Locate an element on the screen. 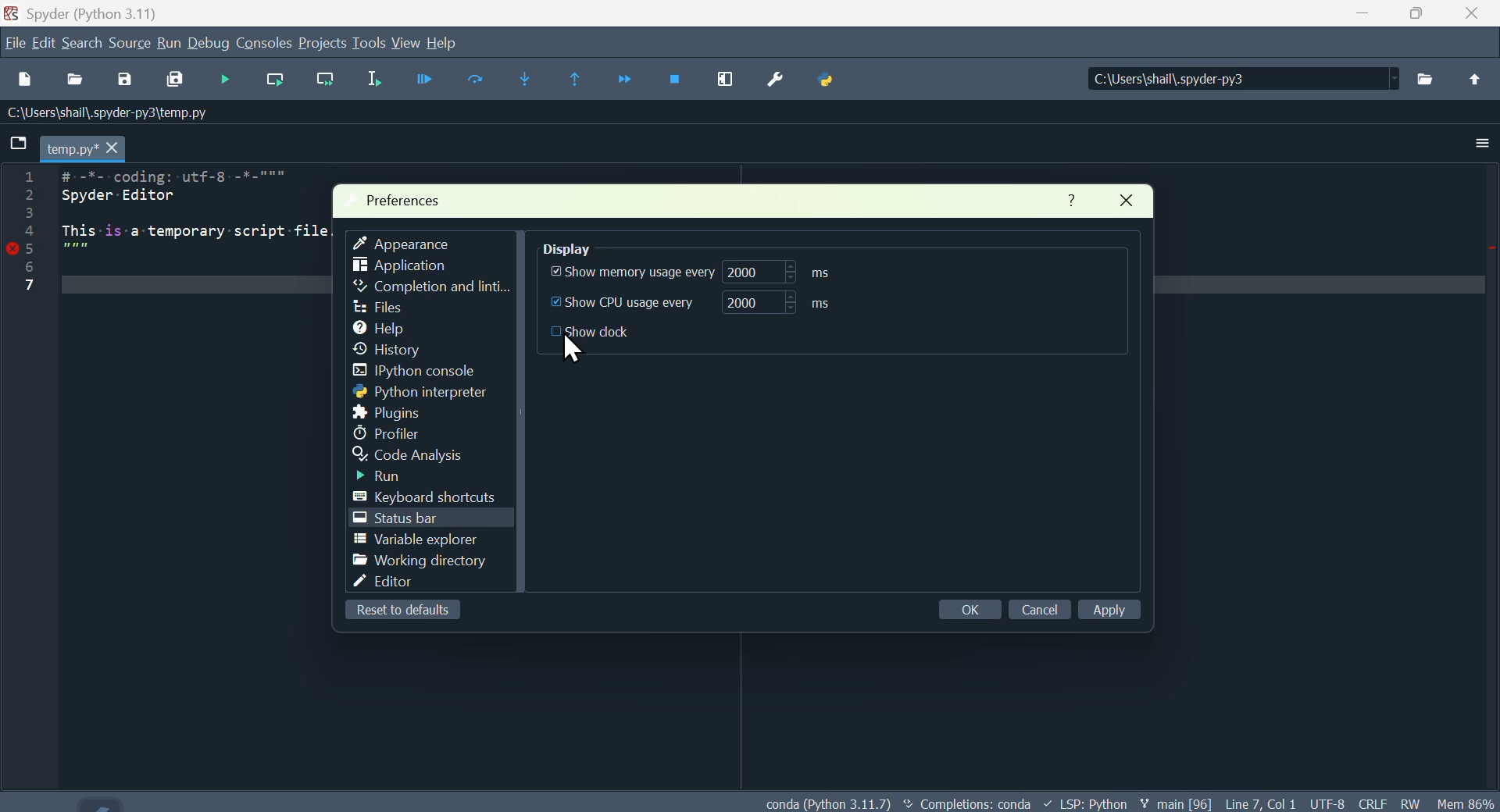 The width and height of the screenshot is (1500, 812). Run current line is located at coordinates (280, 80).